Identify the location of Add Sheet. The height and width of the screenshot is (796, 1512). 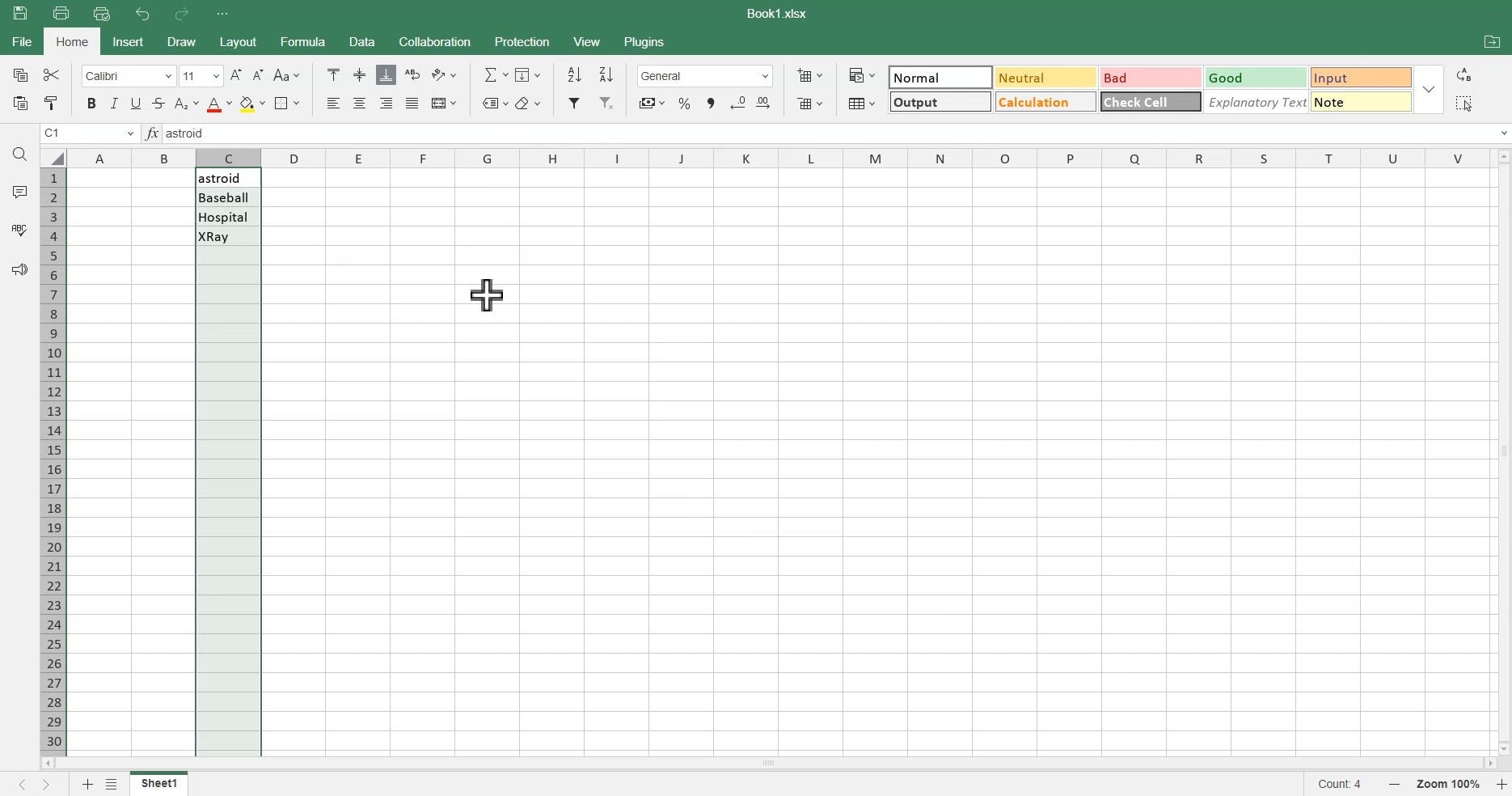
(85, 784).